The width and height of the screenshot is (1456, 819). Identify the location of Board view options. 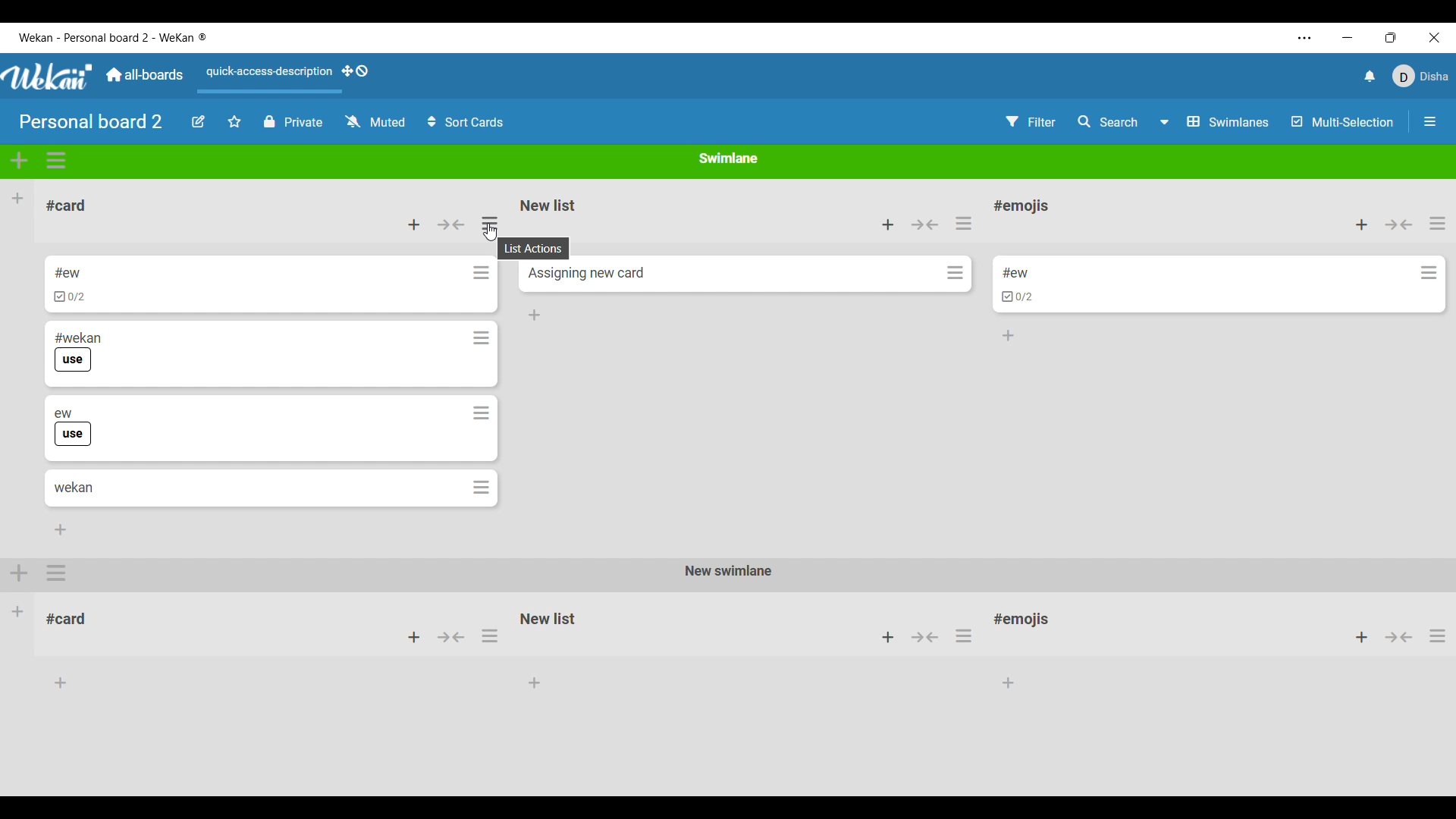
(1216, 121).